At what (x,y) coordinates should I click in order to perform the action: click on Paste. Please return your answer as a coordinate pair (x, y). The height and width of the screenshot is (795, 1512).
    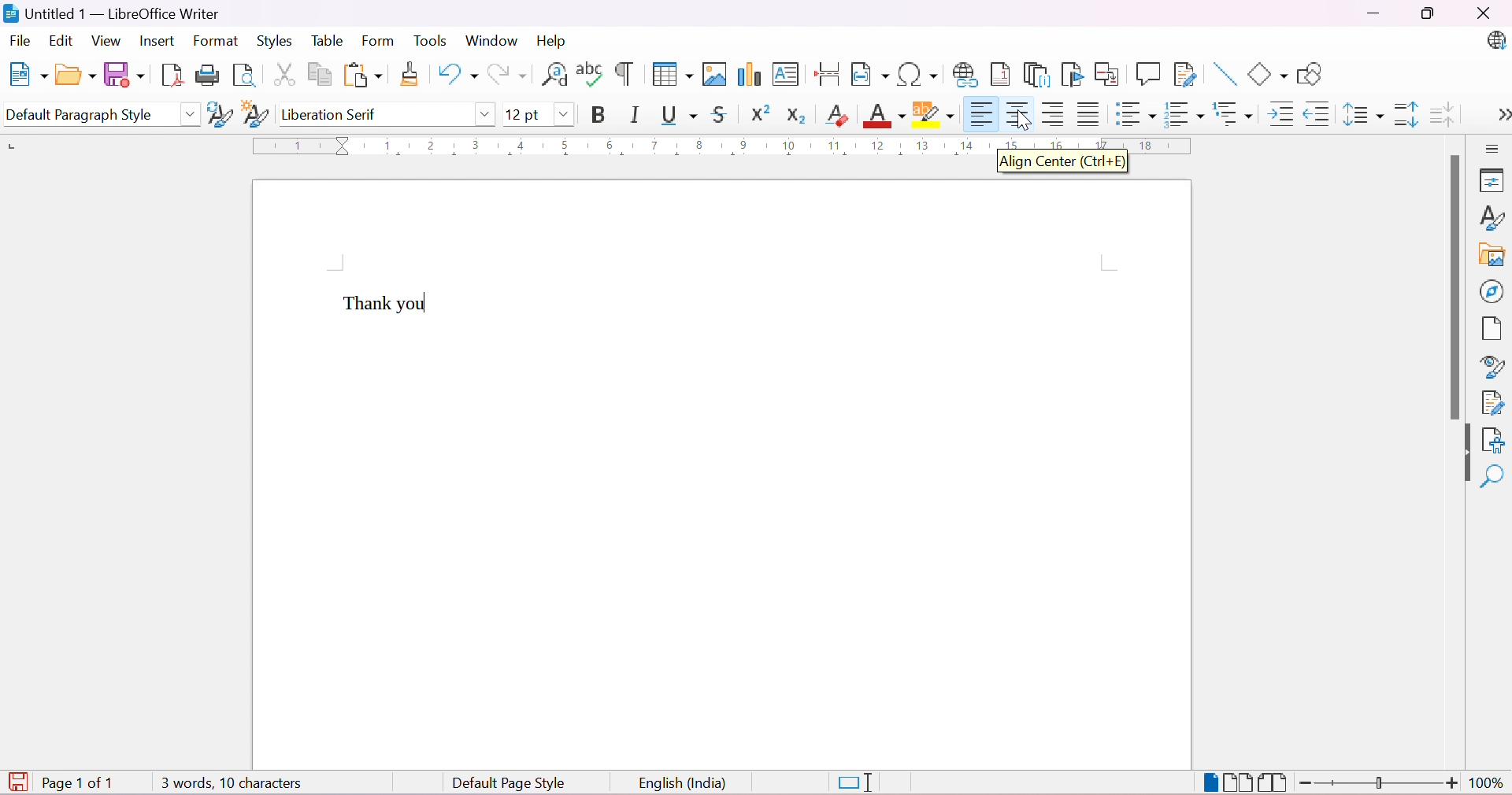
    Looking at the image, I should click on (361, 75).